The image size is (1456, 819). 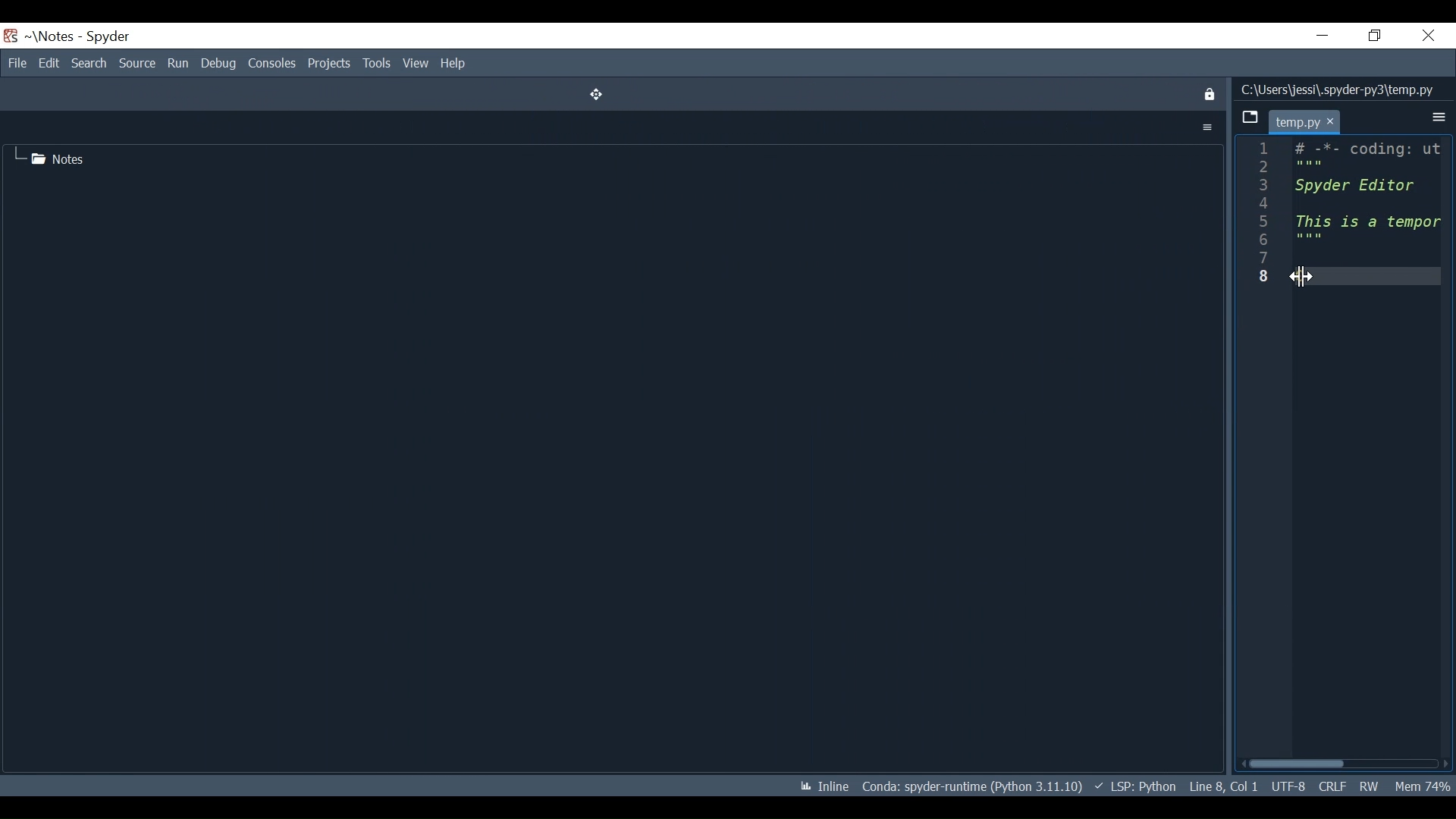 I want to click on View, so click(x=416, y=64).